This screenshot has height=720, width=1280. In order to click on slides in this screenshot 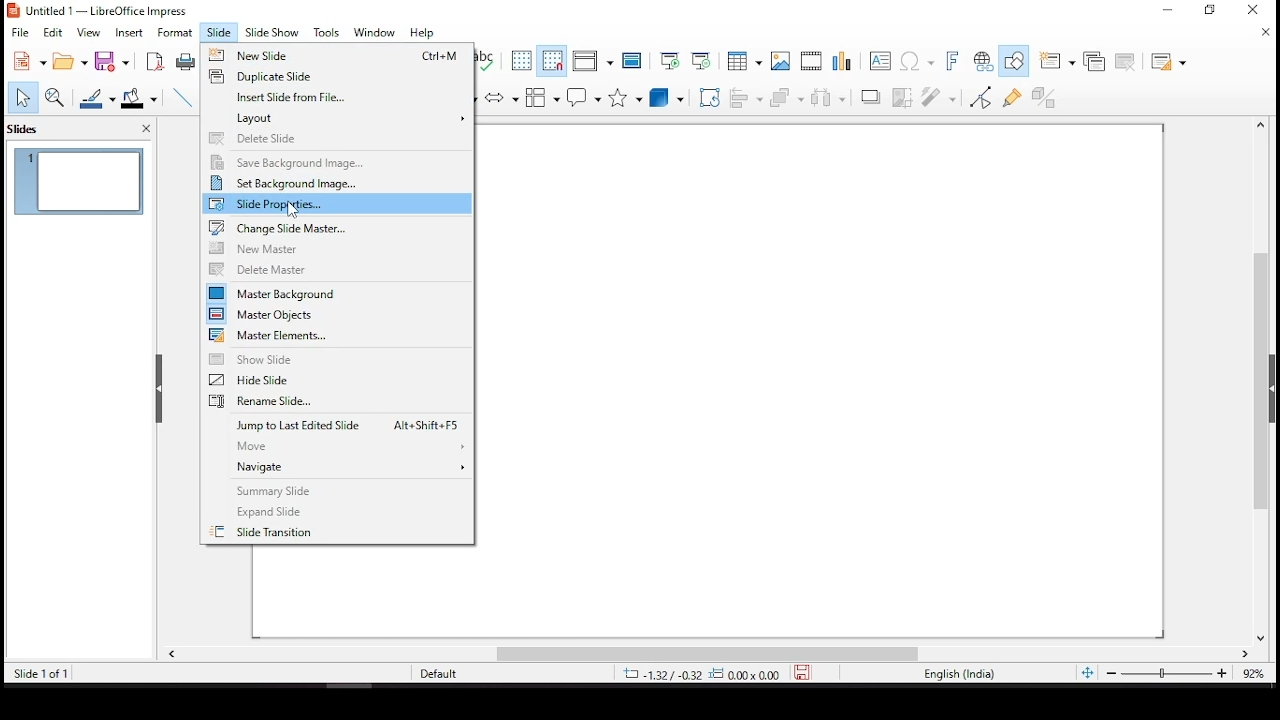, I will do `click(27, 130)`.